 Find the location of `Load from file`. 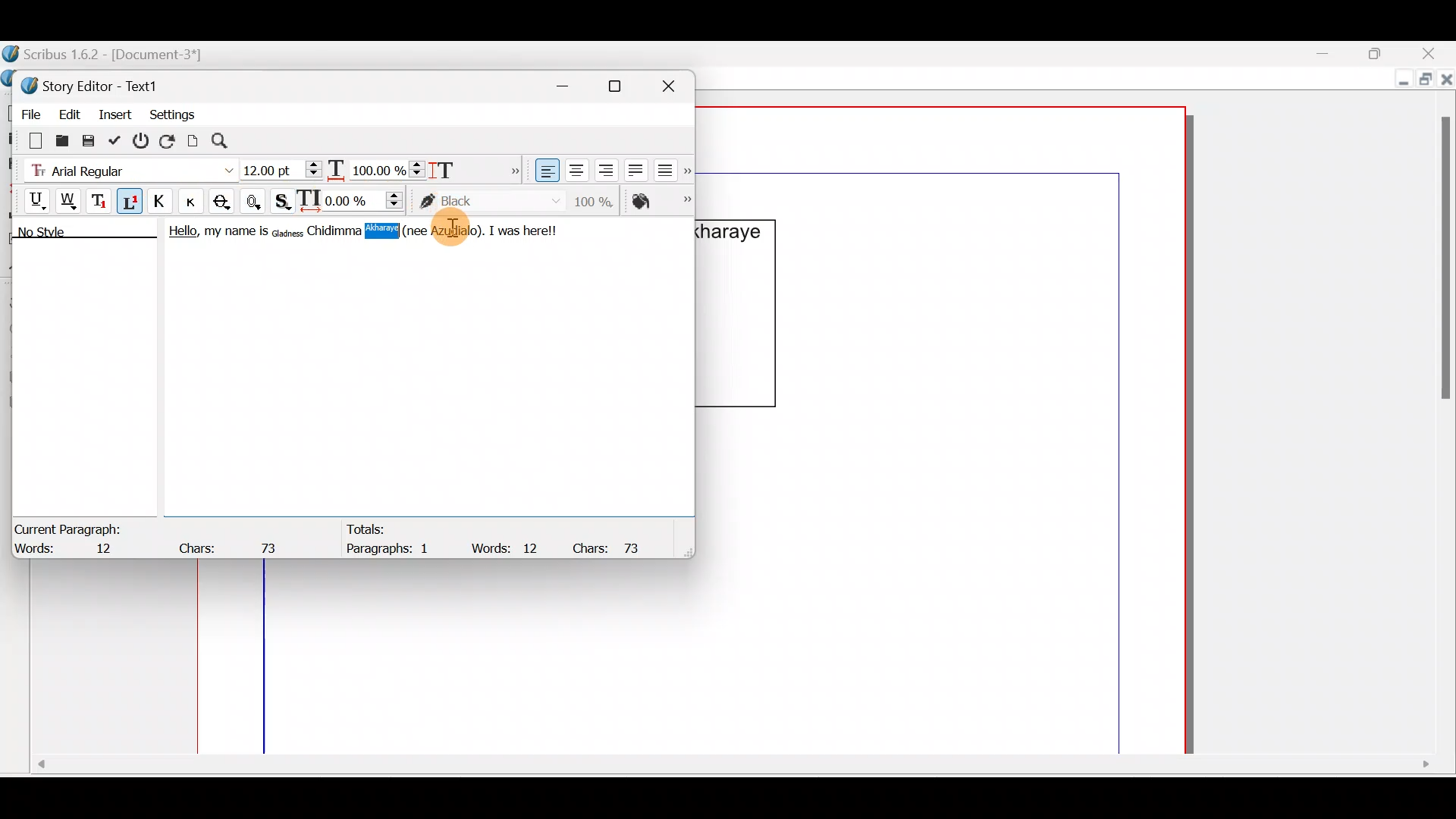

Load from file is located at coordinates (61, 140).